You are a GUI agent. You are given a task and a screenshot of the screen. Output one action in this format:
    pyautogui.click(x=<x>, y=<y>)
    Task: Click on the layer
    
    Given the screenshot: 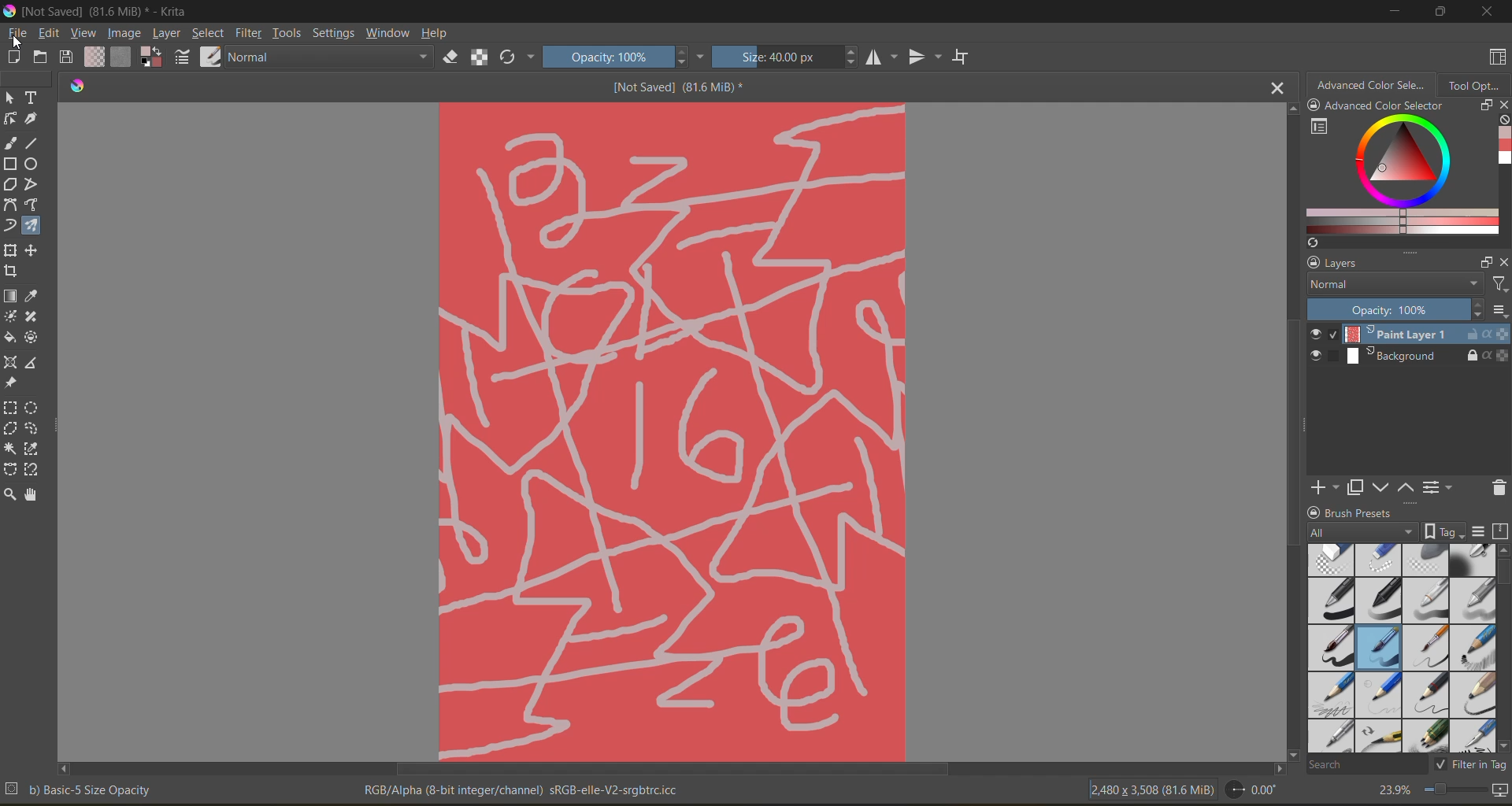 What is the action you would take?
    pyautogui.click(x=166, y=34)
    